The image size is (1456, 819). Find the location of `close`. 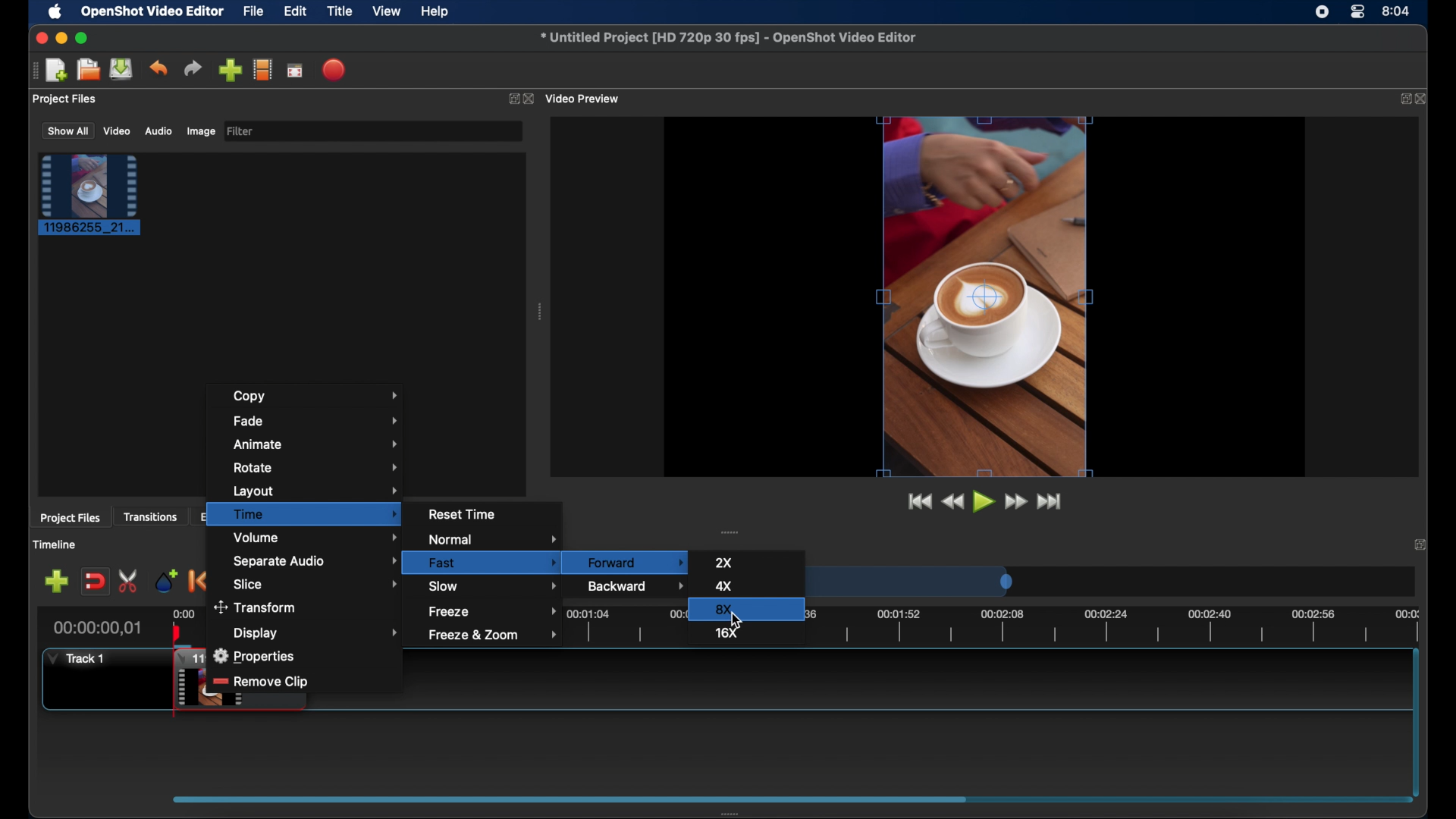

close is located at coordinates (41, 39).